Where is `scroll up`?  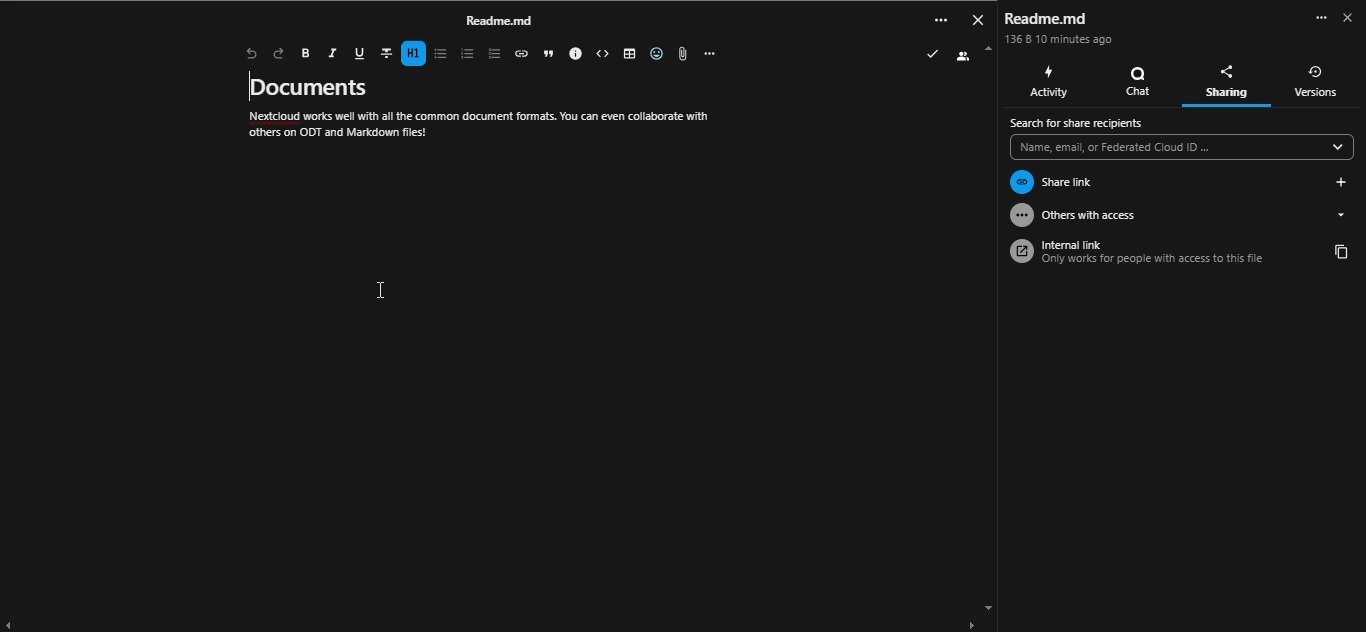 scroll up is located at coordinates (991, 50).